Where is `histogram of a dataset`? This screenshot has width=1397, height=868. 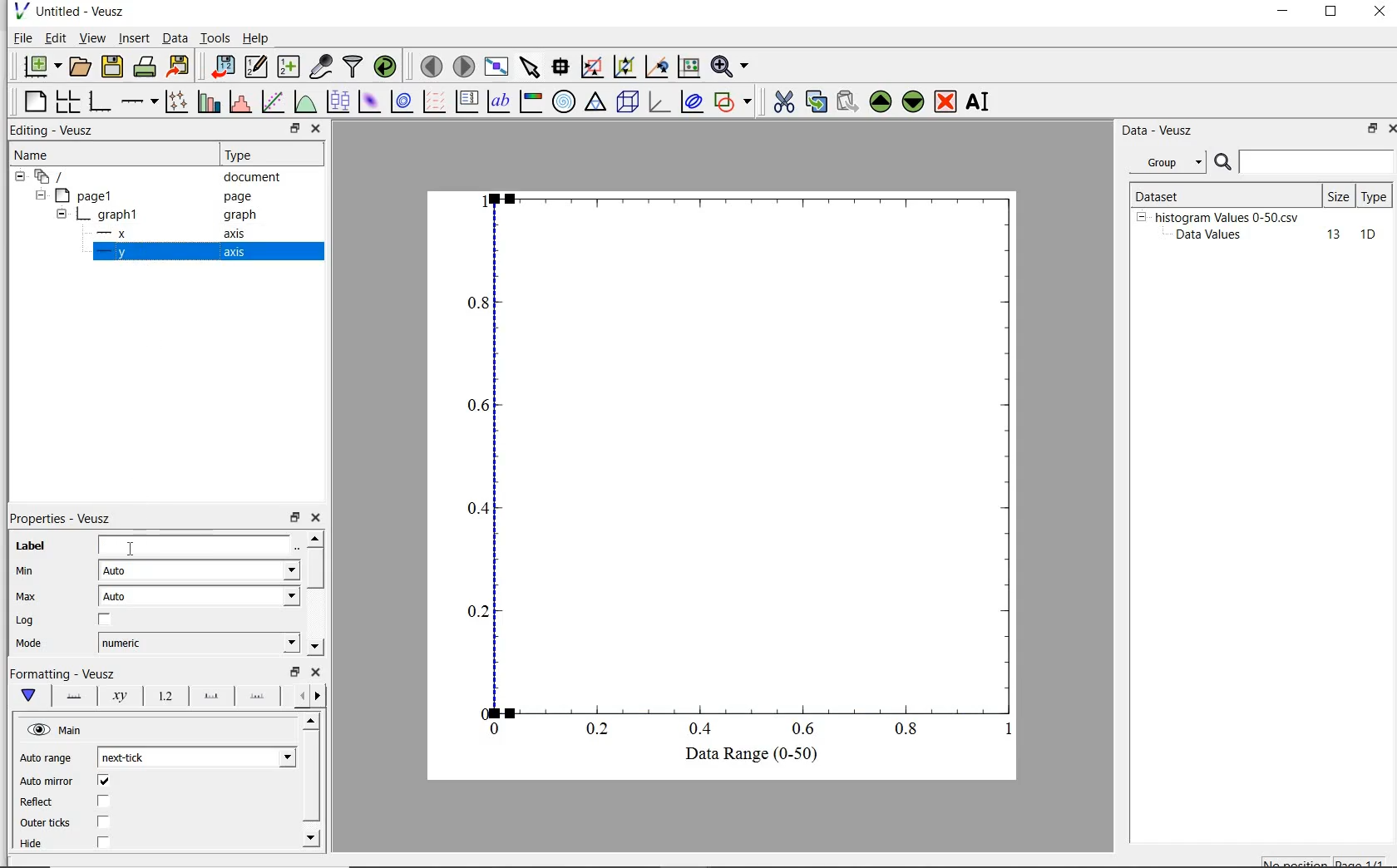 histogram of a dataset is located at coordinates (239, 102).